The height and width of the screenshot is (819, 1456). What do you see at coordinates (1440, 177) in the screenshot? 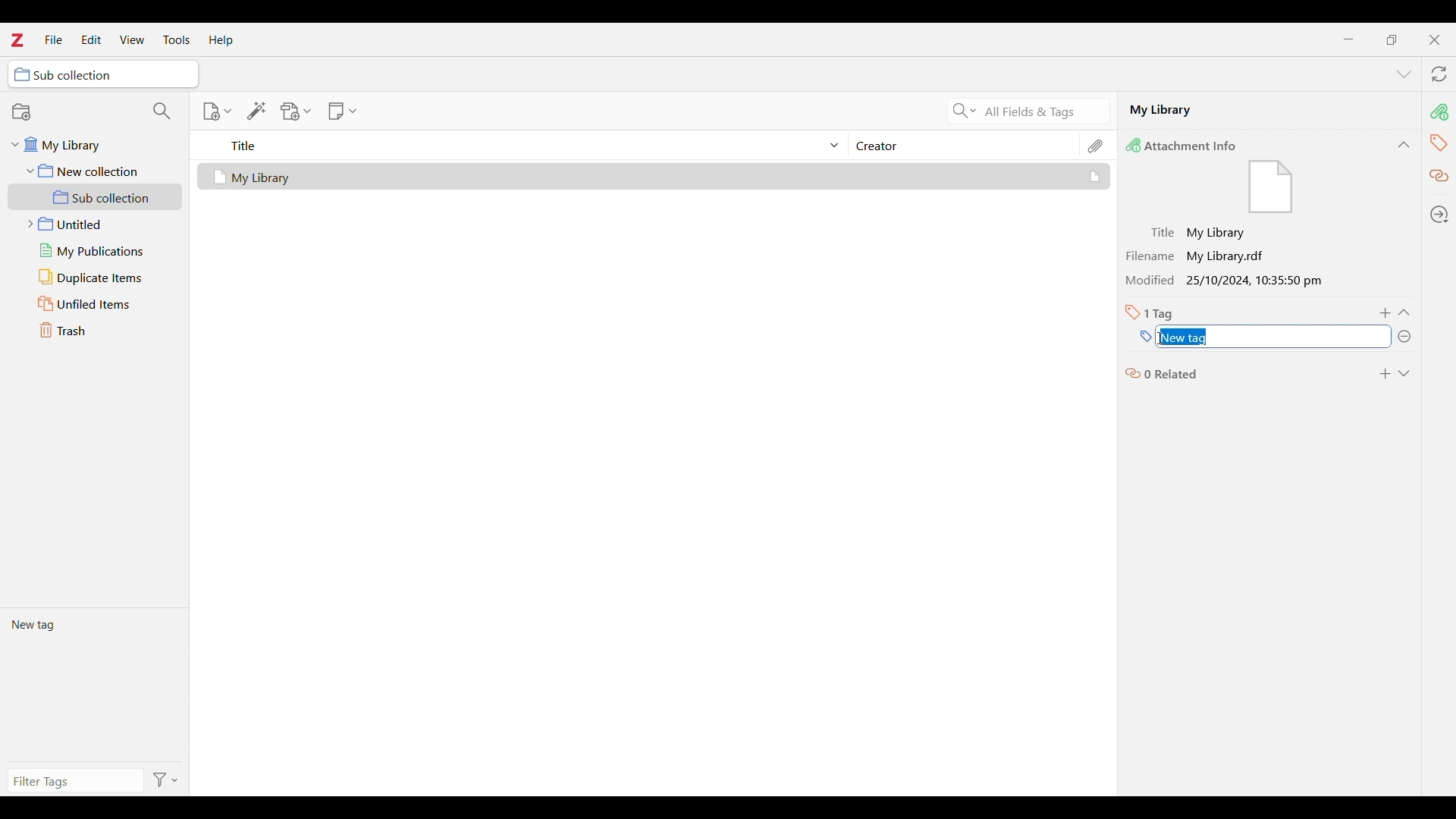
I see `Related` at bounding box center [1440, 177].